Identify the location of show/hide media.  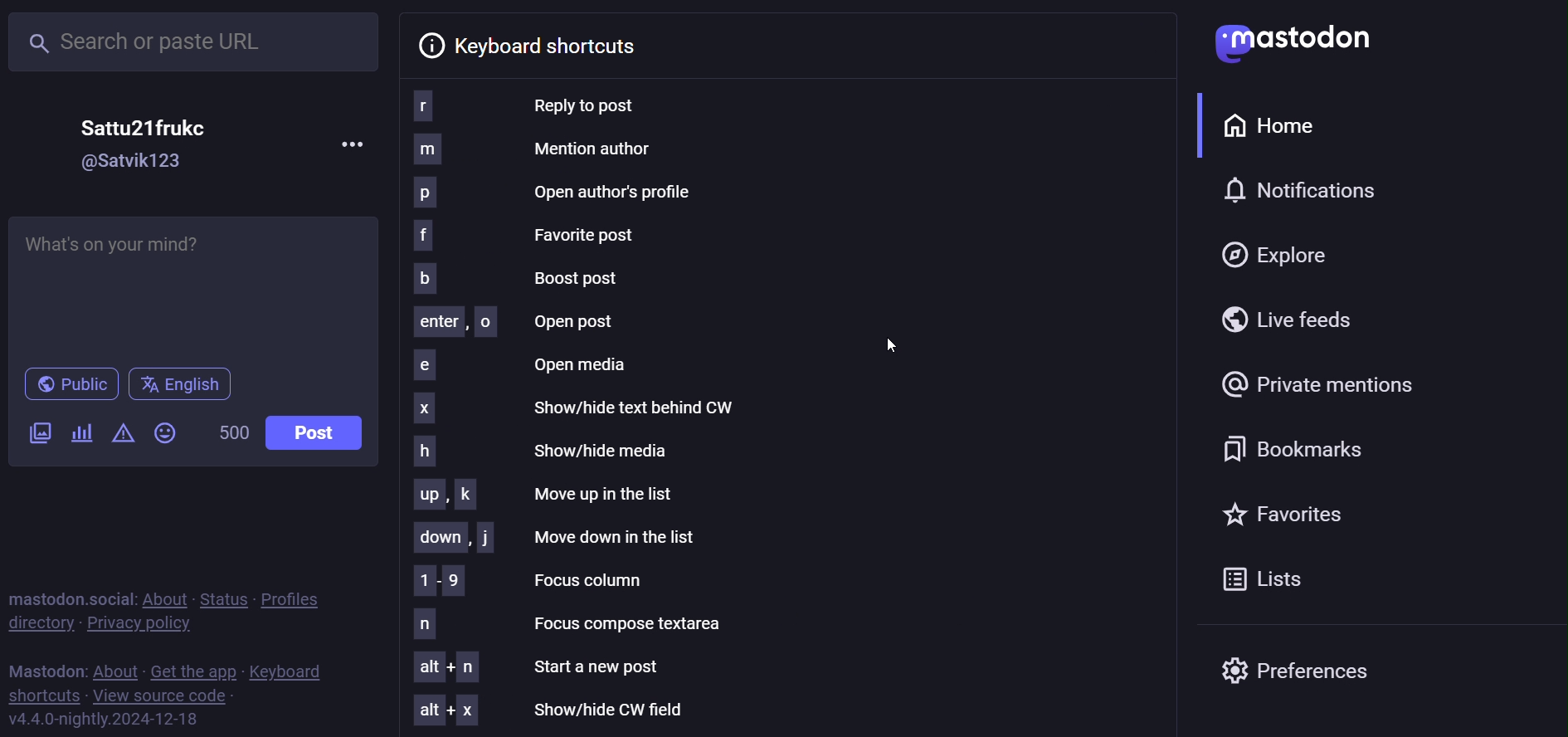
(548, 447).